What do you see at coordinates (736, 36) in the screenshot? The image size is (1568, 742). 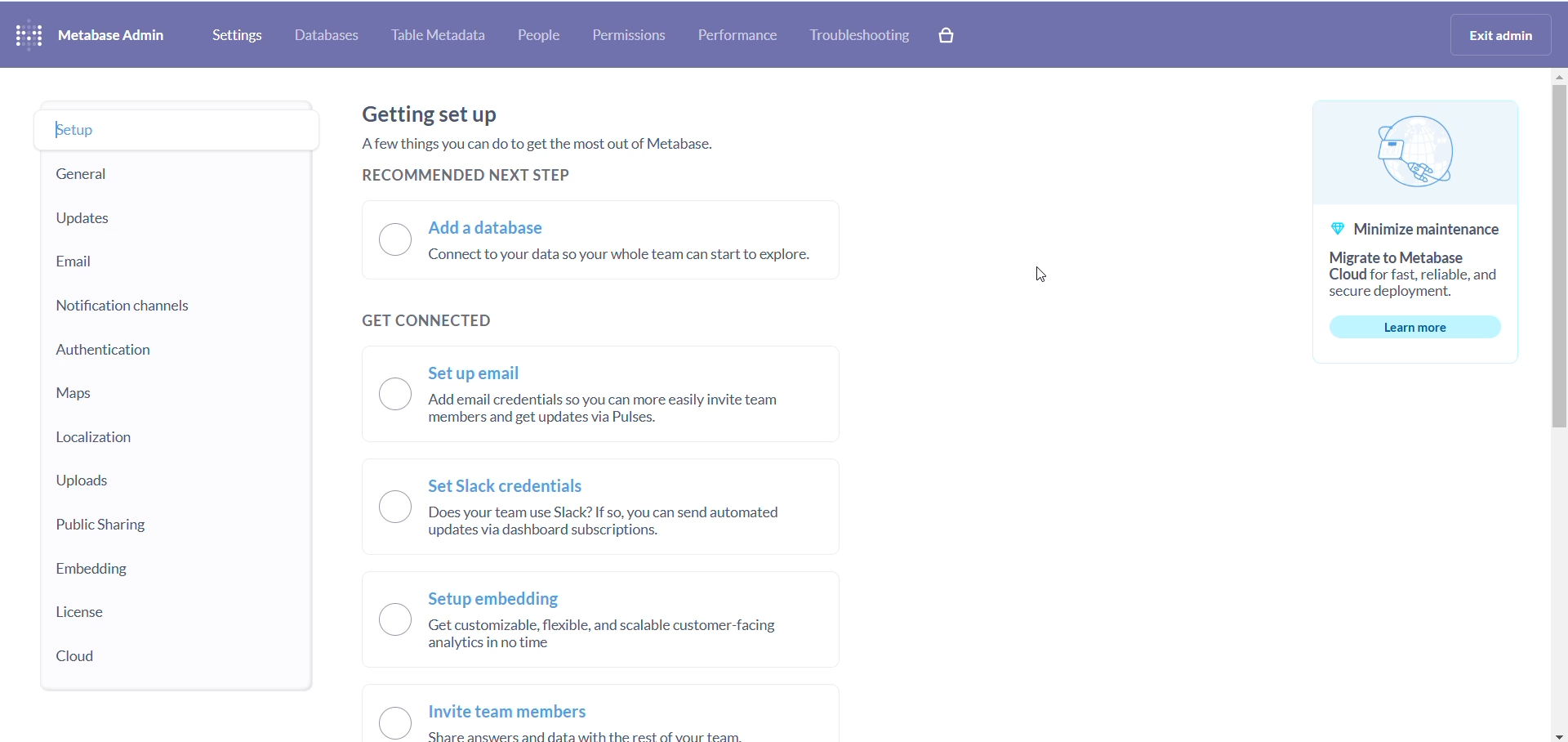 I see `performance` at bounding box center [736, 36].